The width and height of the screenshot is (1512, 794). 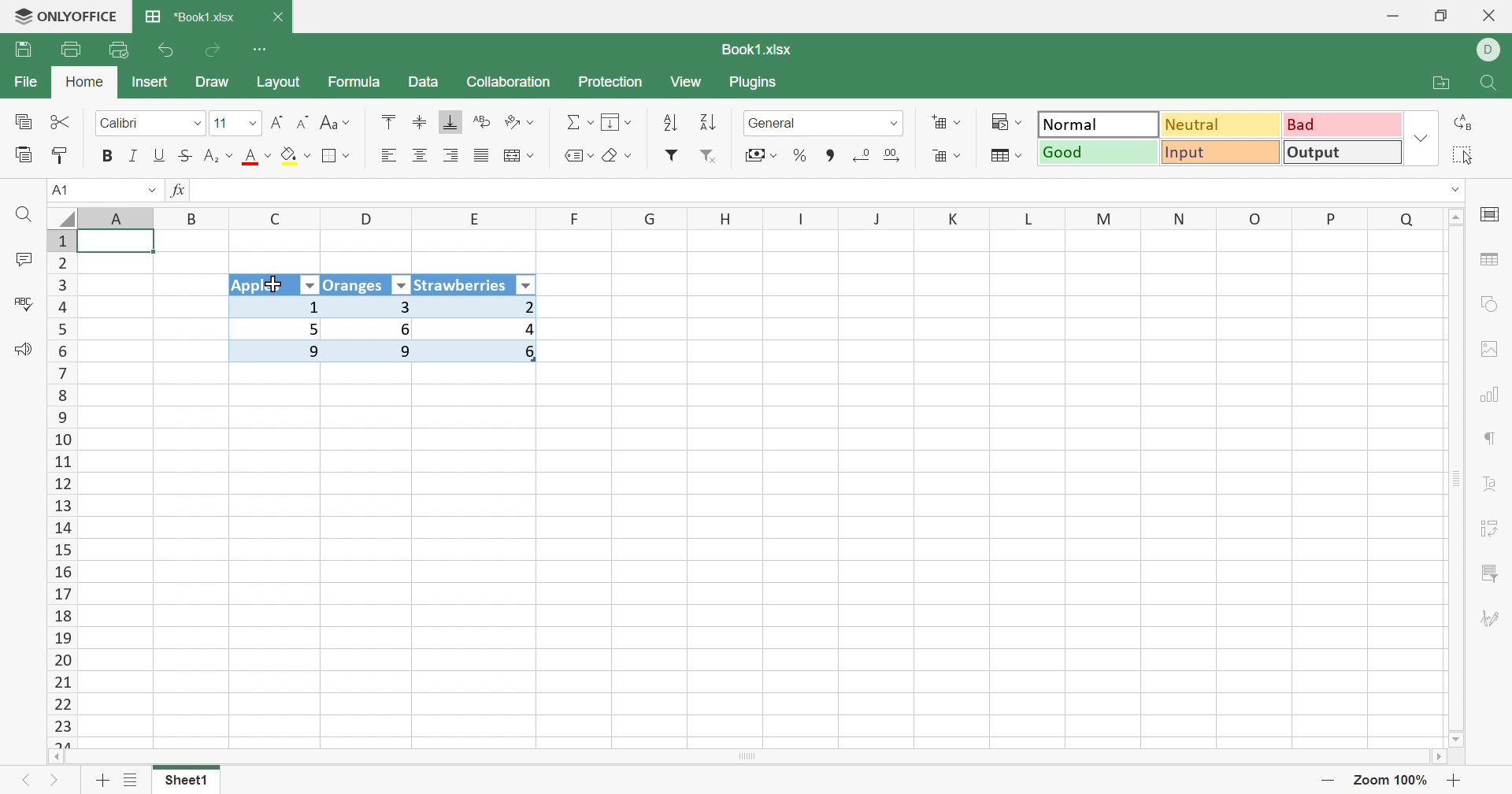 I want to click on Calibri, so click(x=120, y=124).